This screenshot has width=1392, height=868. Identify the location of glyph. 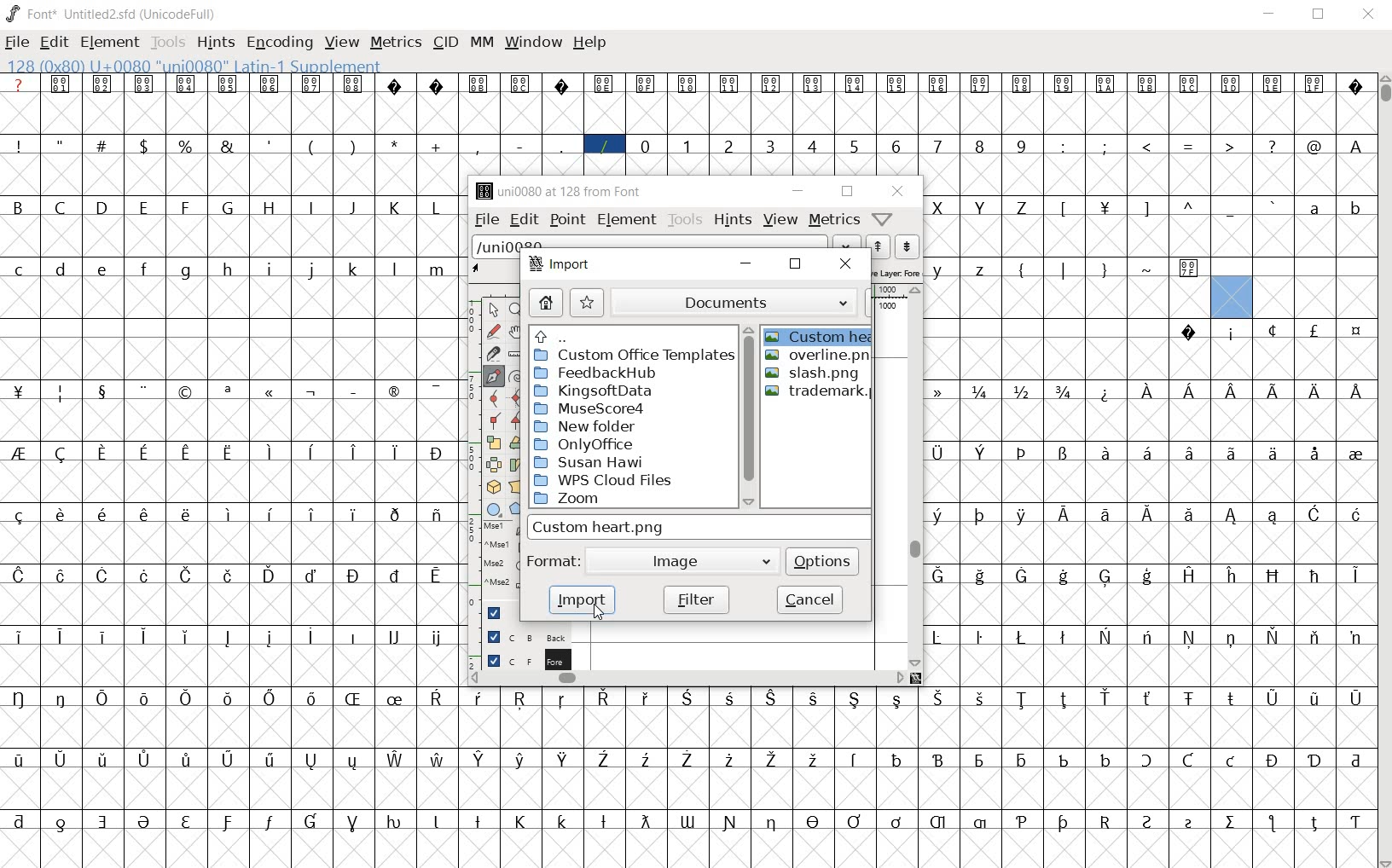
(103, 514).